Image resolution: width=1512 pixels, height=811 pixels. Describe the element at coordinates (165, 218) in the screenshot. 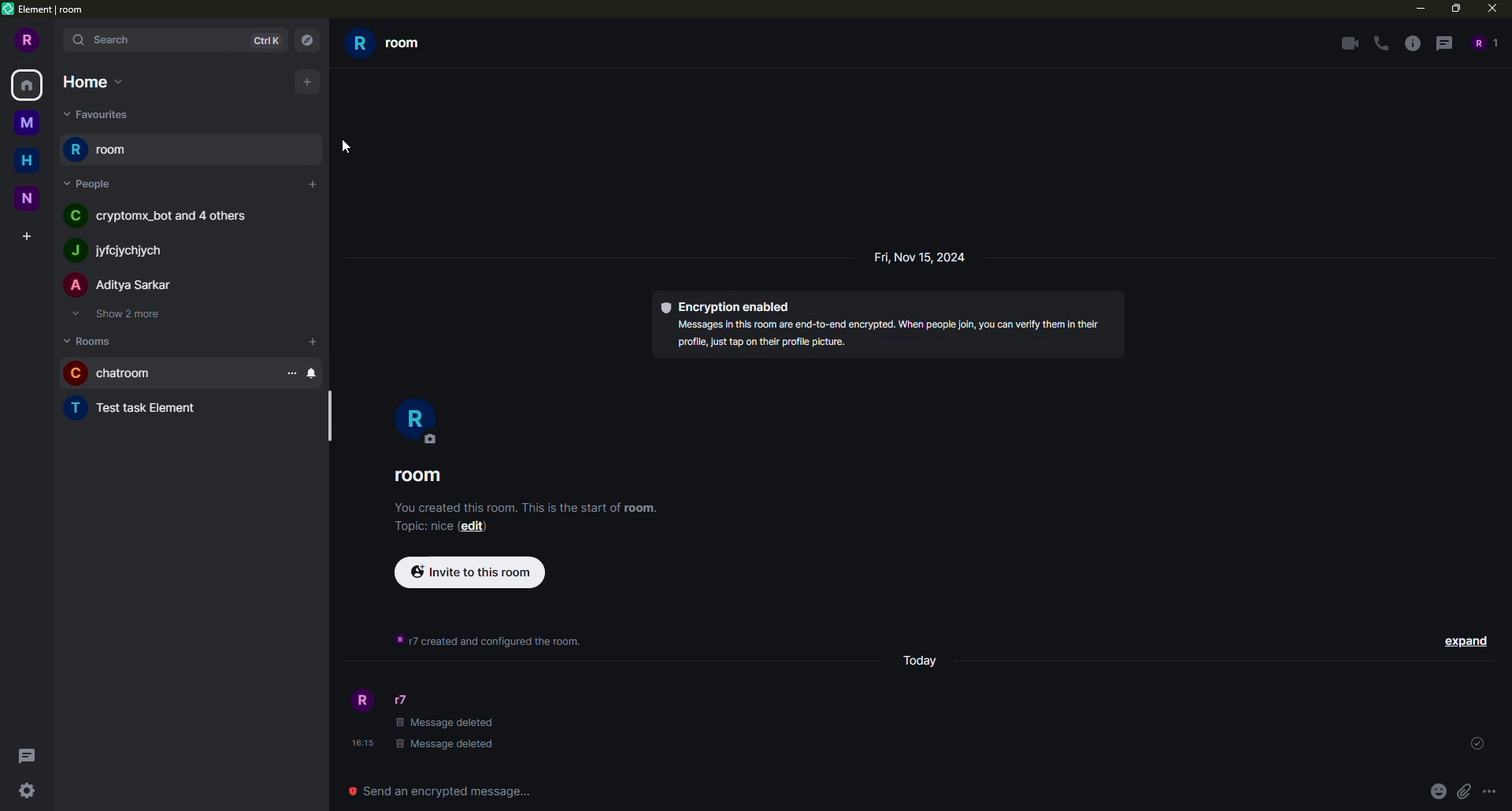

I see `C  cryptomx_bot and 4 others` at that location.